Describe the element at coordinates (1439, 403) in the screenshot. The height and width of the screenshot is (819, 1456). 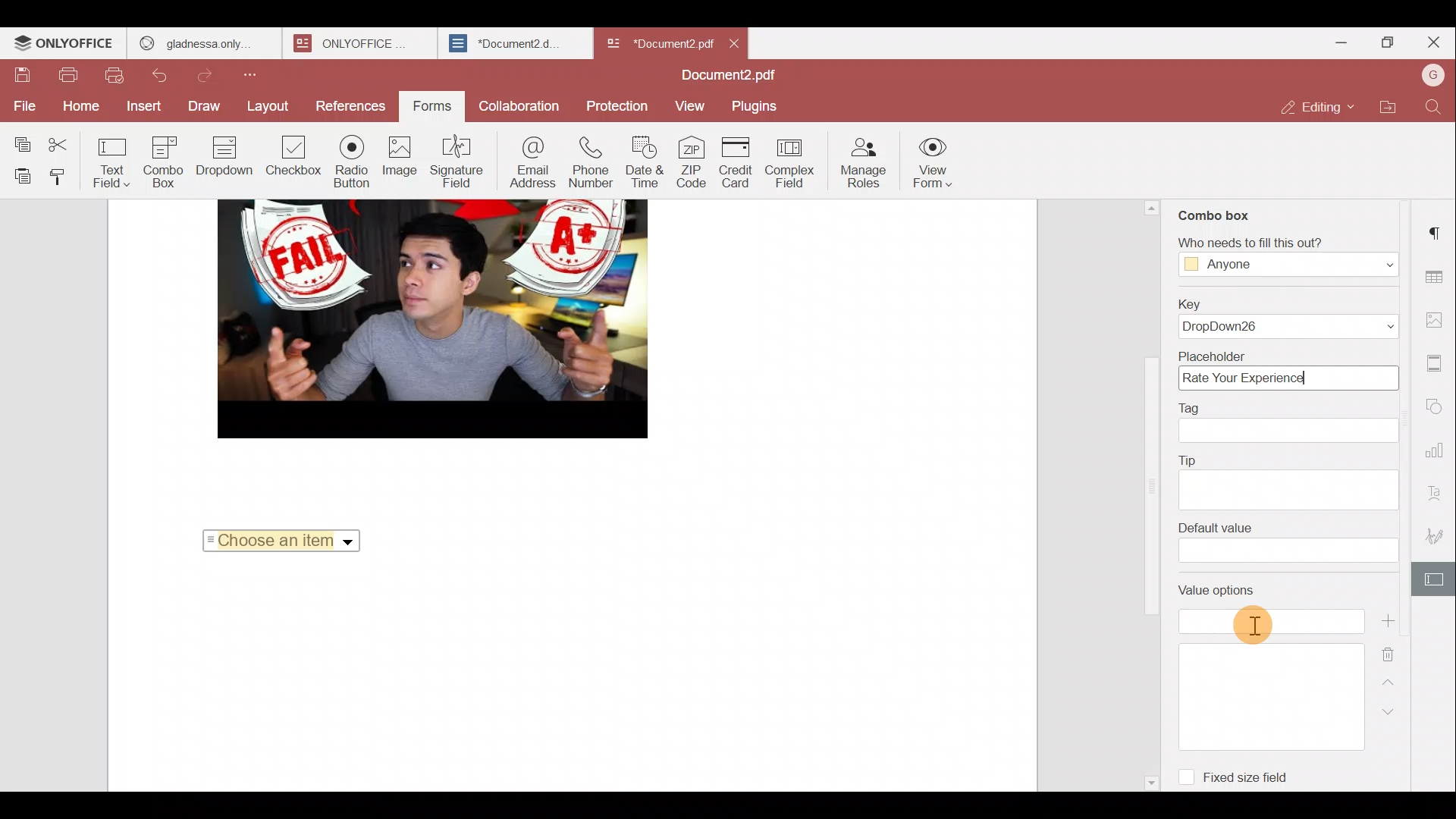
I see `Shapes settings` at that location.